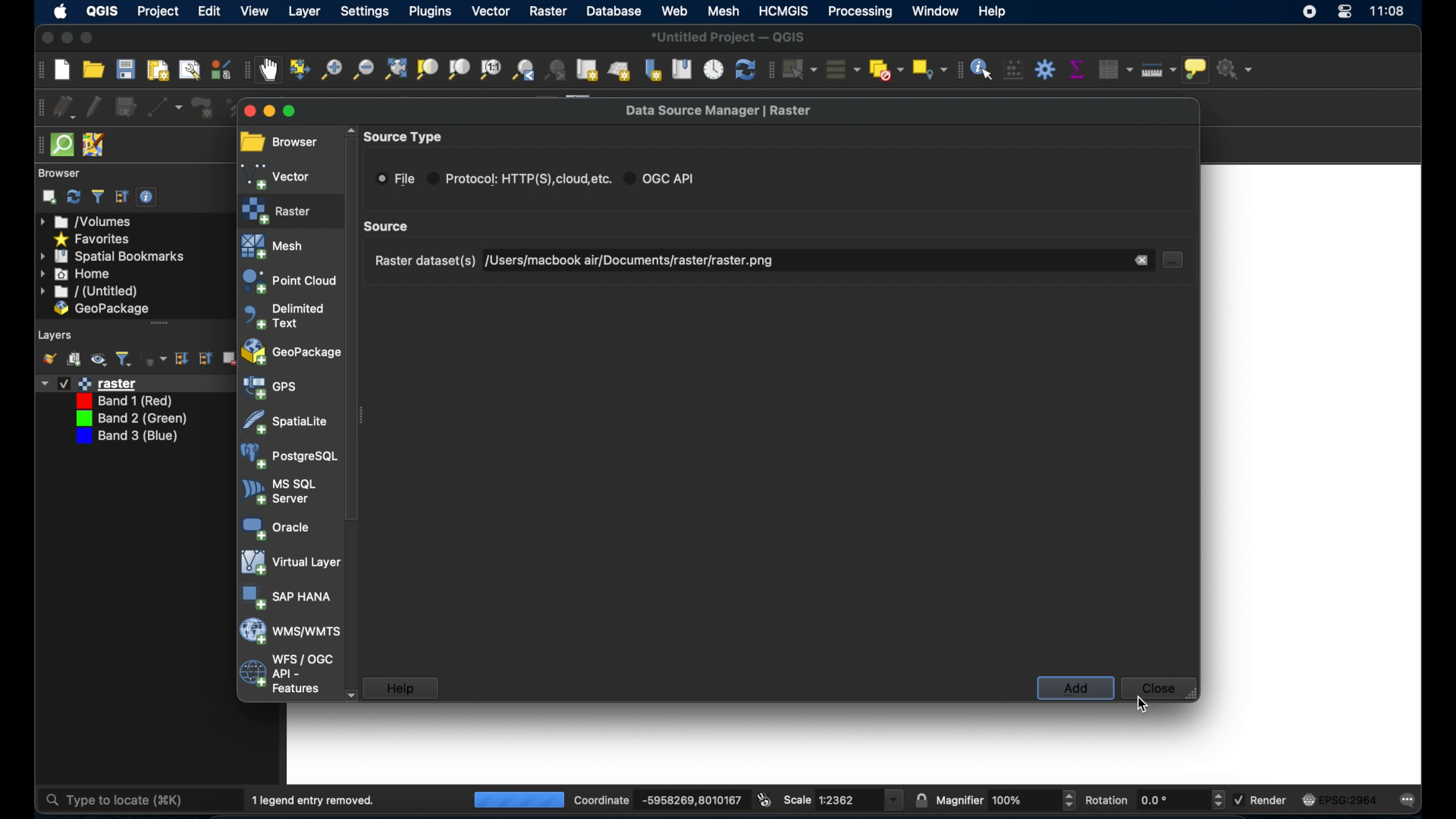 Image resolution: width=1456 pixels, height=819 pixels. I want to click on pan map to selection, so click(302, 70).